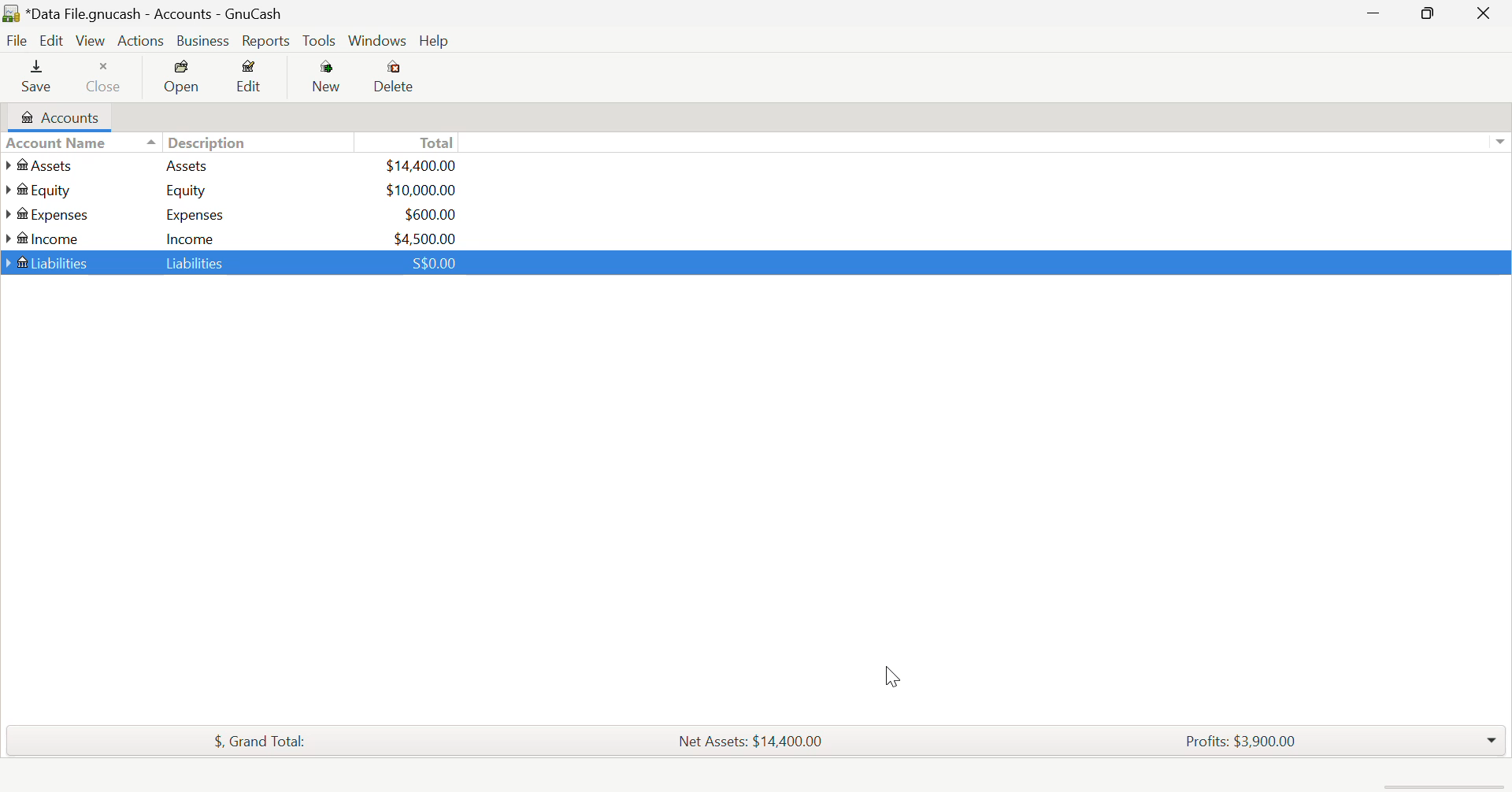 This screenshot has width=1512, height=792. What do you see at coordinates (439, 142) in the screenshot?
I see `Total` at bounding box center [439, 142].